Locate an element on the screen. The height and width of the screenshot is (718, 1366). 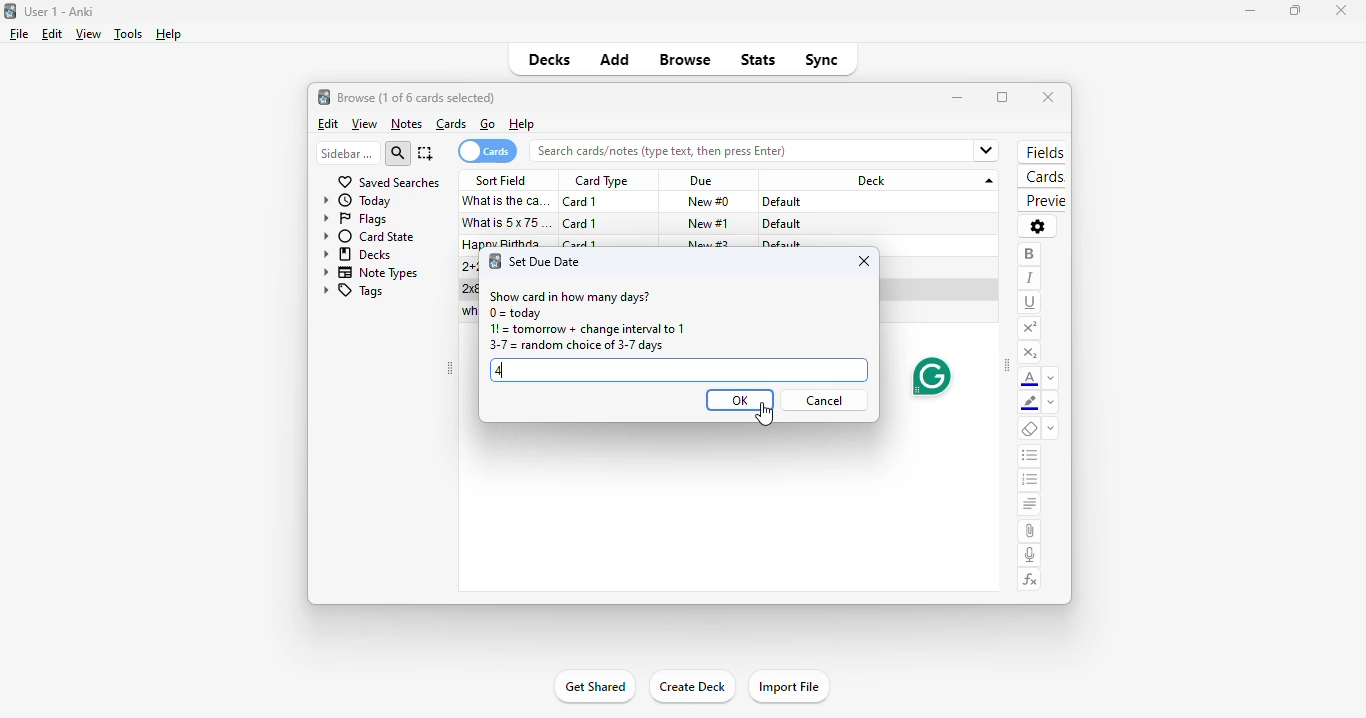
cards is located at coordinates (1042, 178).